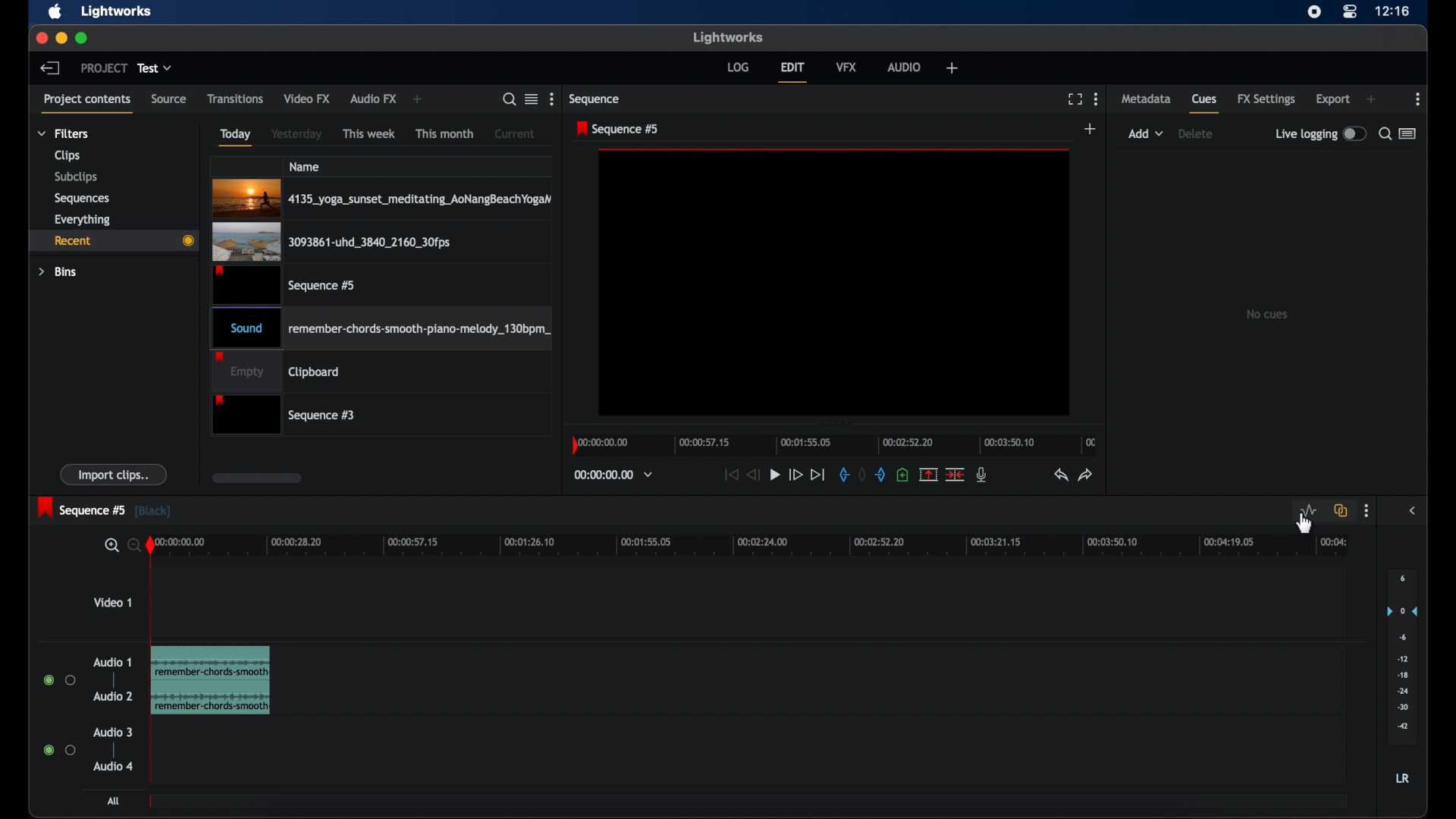  What do you see at coordinates (117, 11) in the screenshot?
I see `lightworks` at bounding box center [117, 11].